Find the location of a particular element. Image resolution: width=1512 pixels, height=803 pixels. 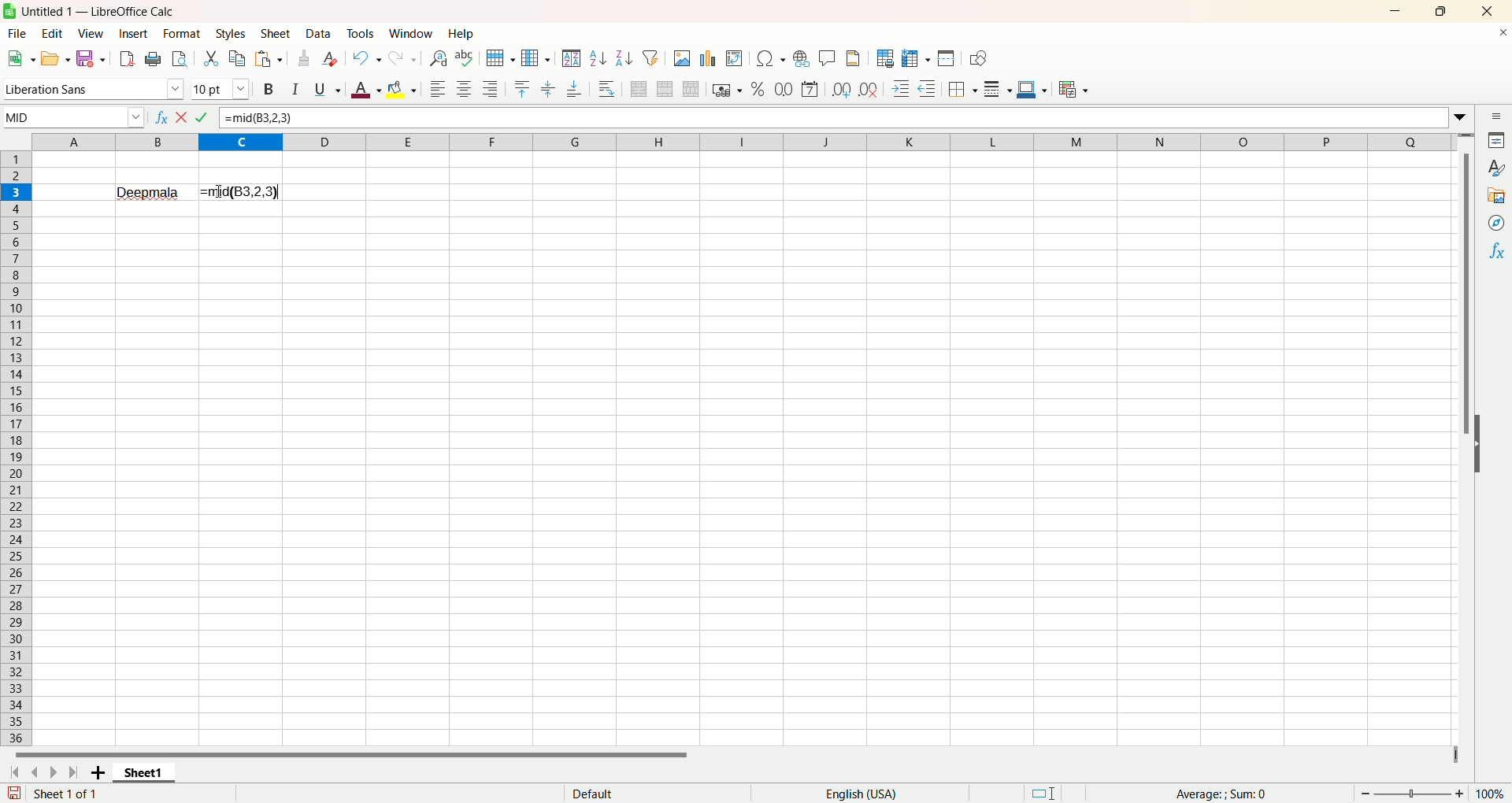

Wrap text is located at coordinates (606, 87).